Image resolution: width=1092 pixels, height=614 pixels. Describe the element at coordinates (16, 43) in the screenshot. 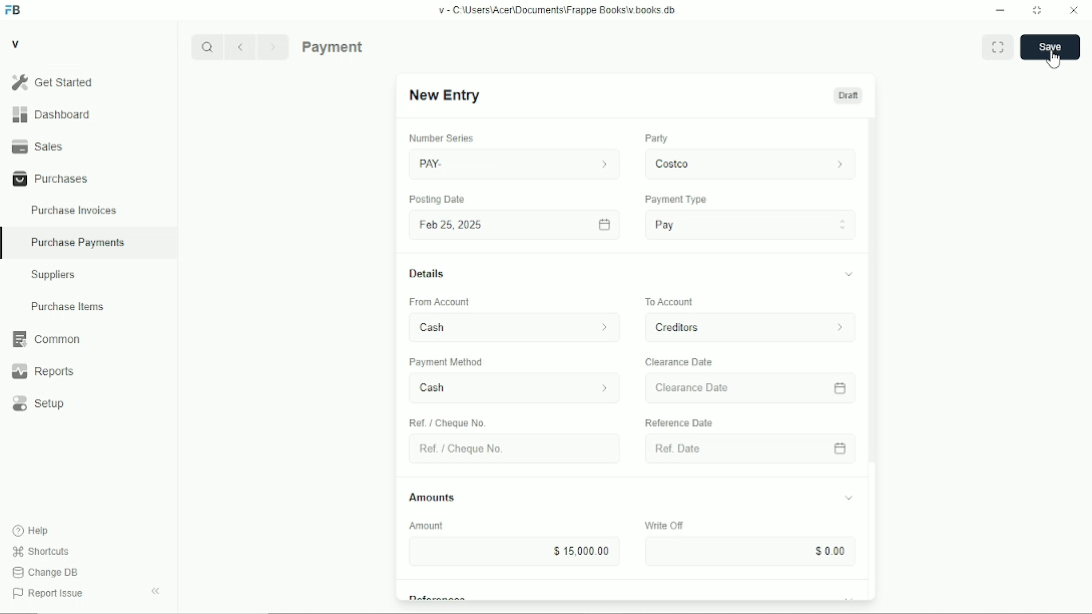

I see `V` at that location.